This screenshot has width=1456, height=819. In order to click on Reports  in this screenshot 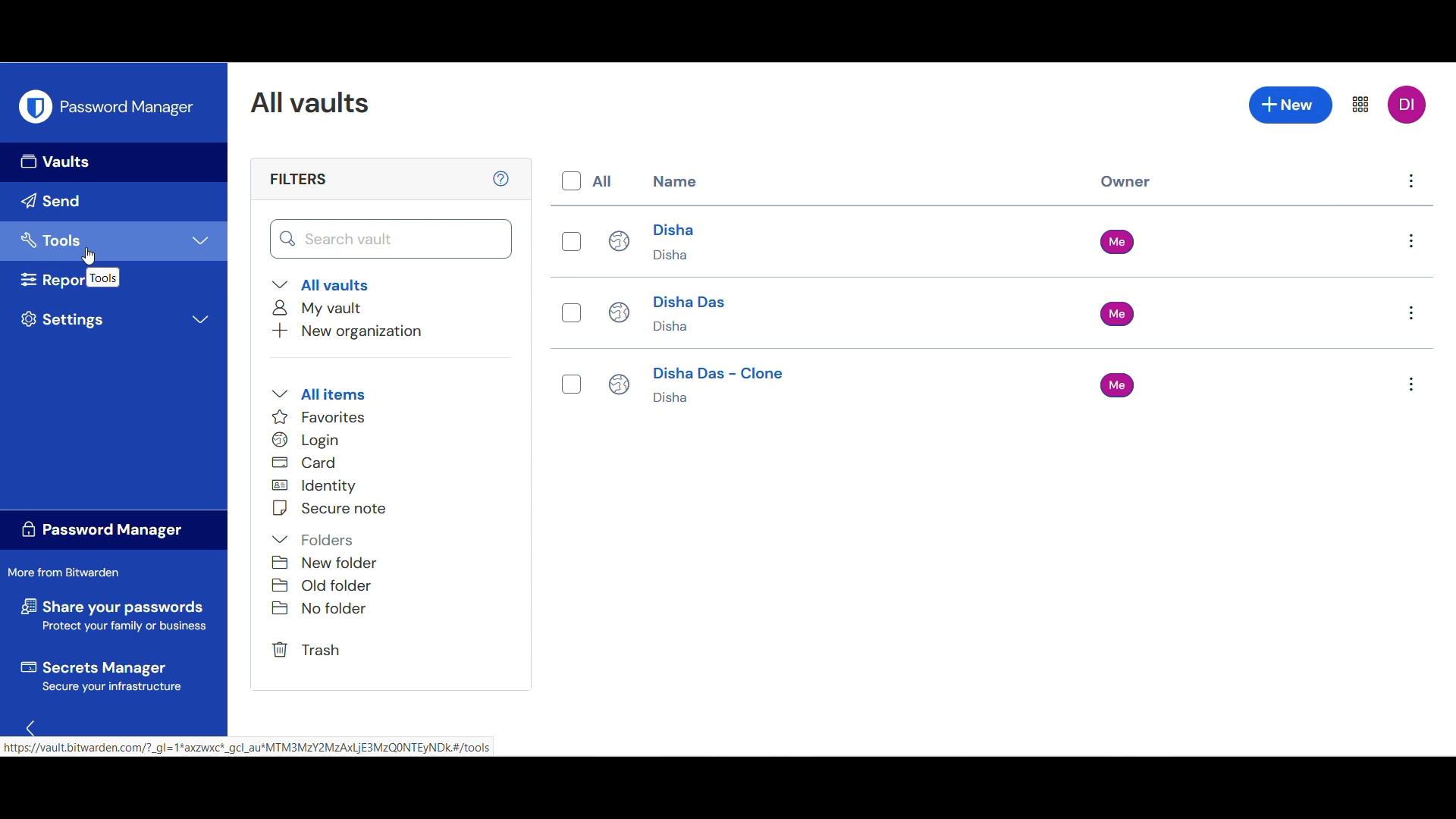, I will do `click(49, 280)`.